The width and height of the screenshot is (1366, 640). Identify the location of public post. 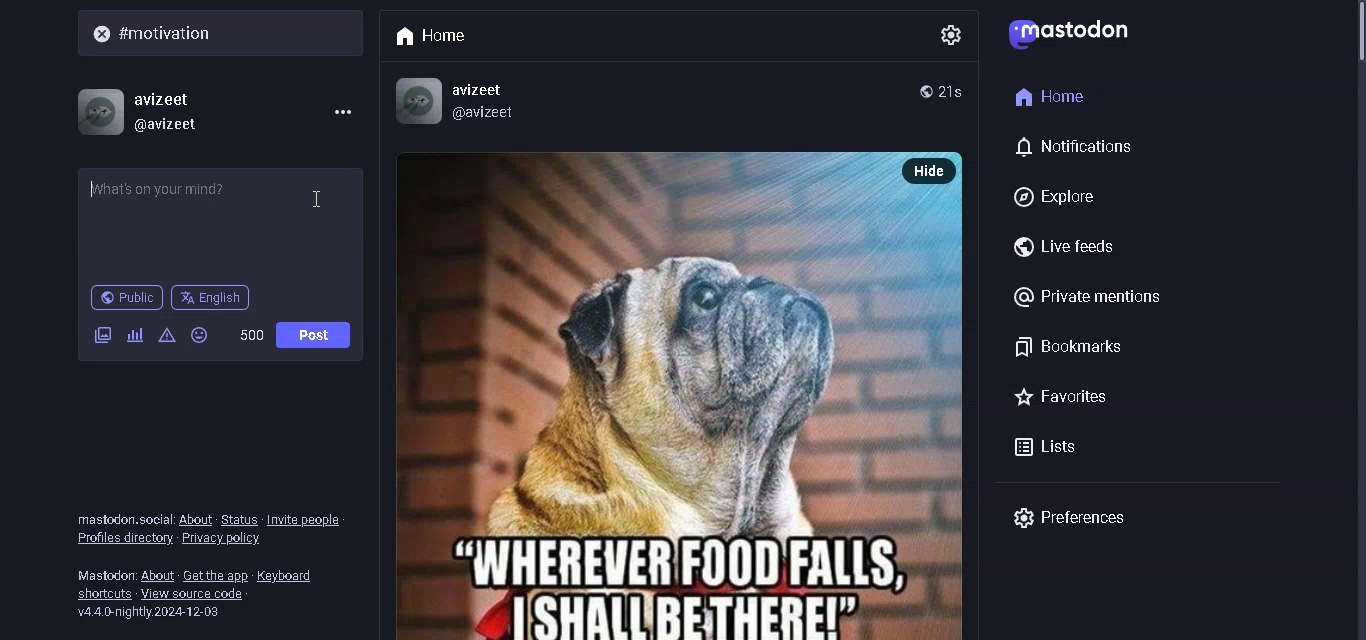
(127, 298).